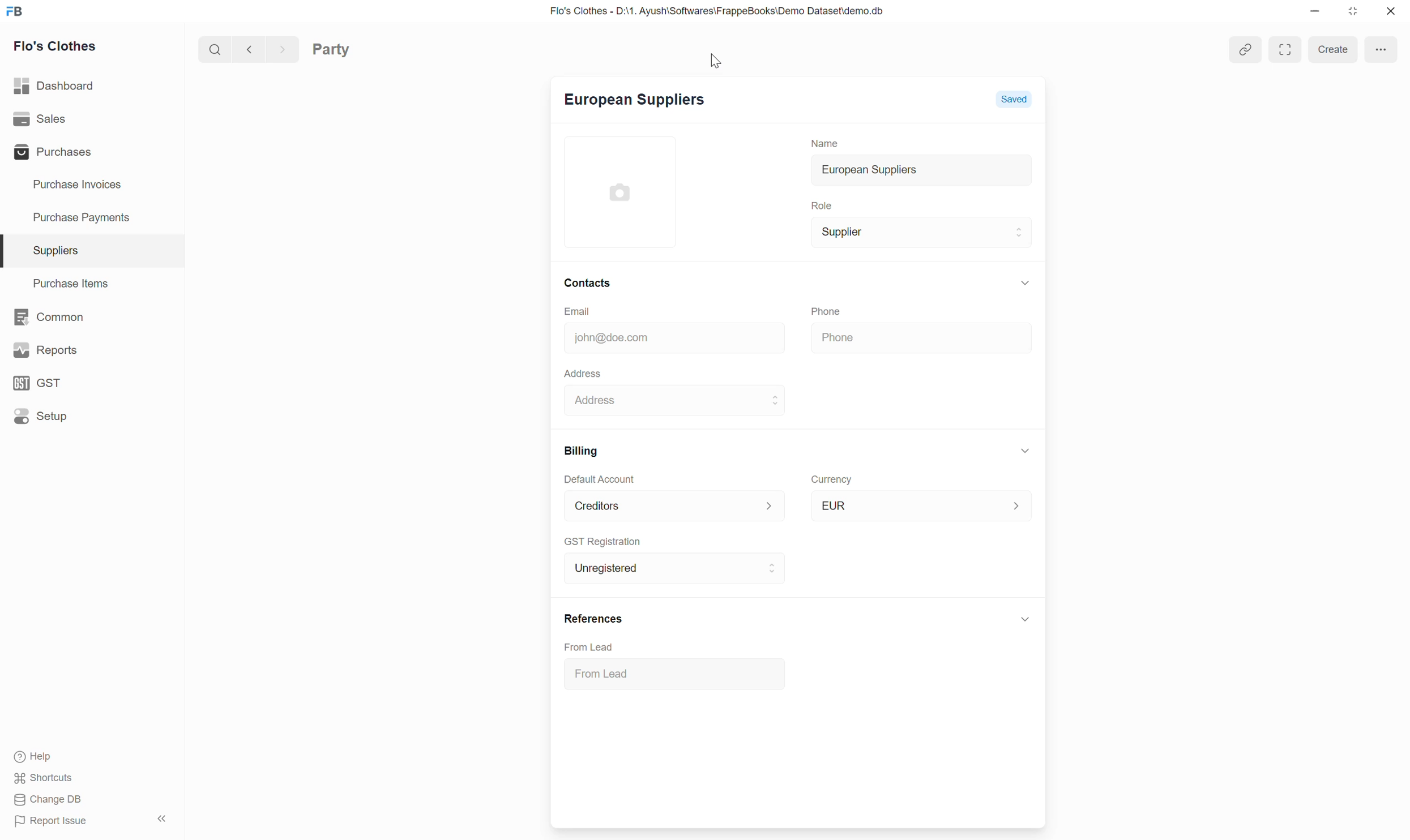  Describe the element at coordinates (578, 371) in the screenshot. I see `Address` at that location.